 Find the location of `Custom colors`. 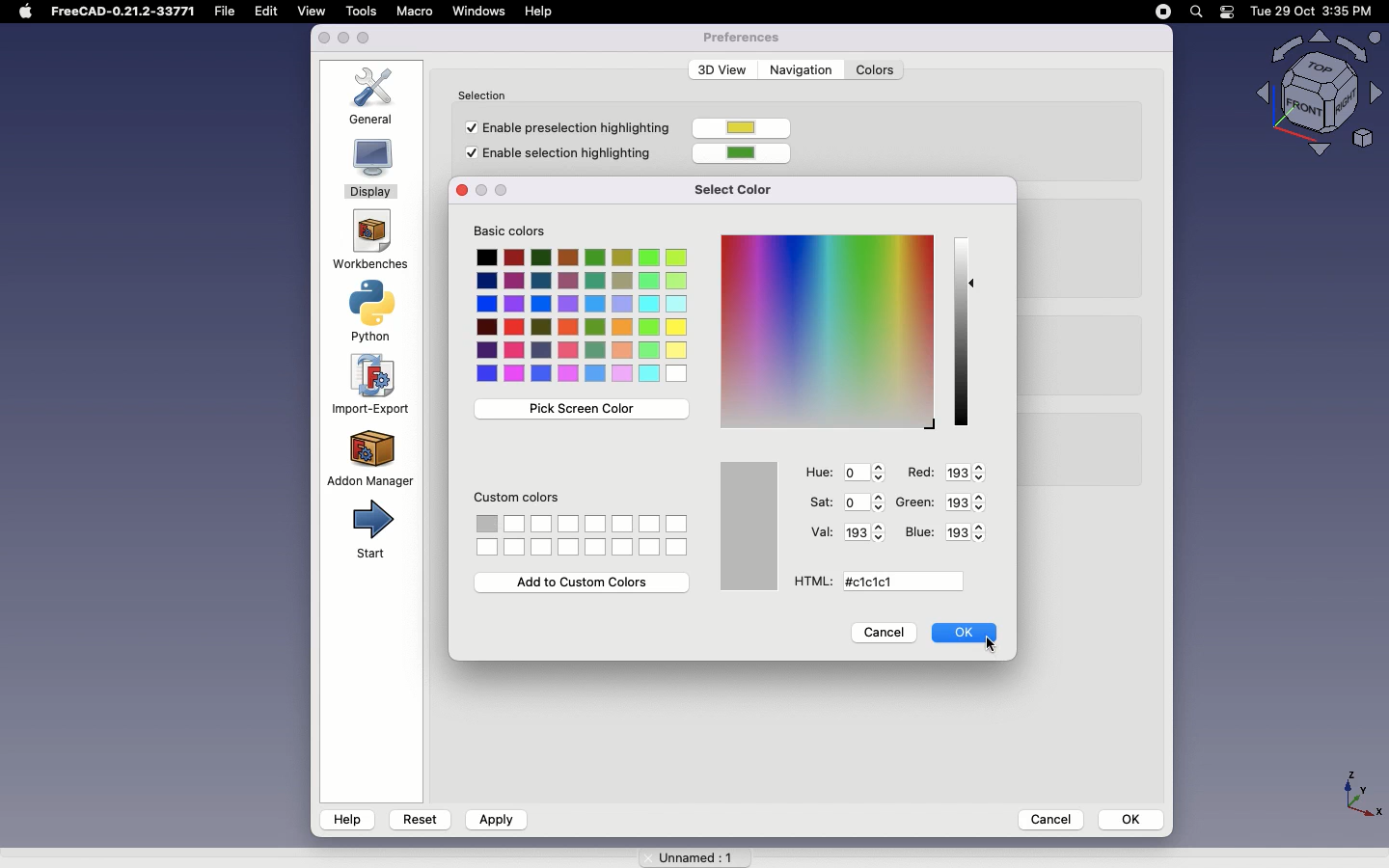

Custom colors is located at coordinates (519, 501).